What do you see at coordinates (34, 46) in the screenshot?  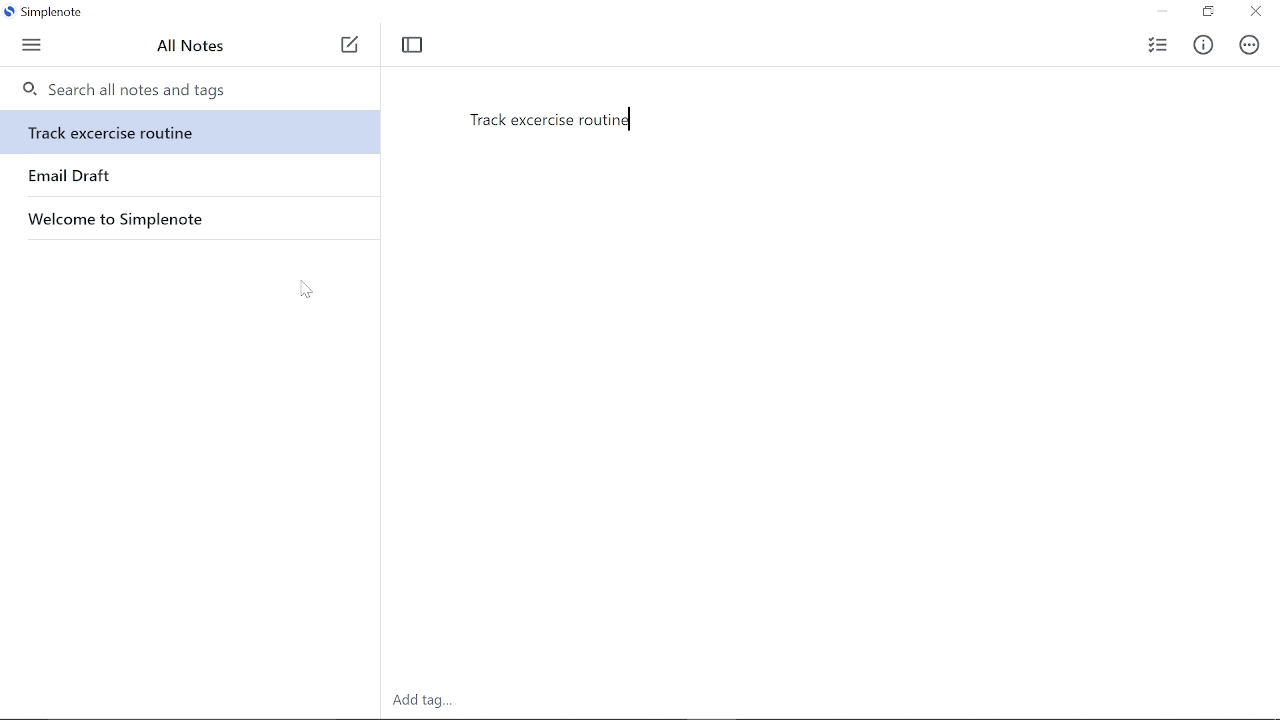 I see `Menu` at bounding box center [34, 46].